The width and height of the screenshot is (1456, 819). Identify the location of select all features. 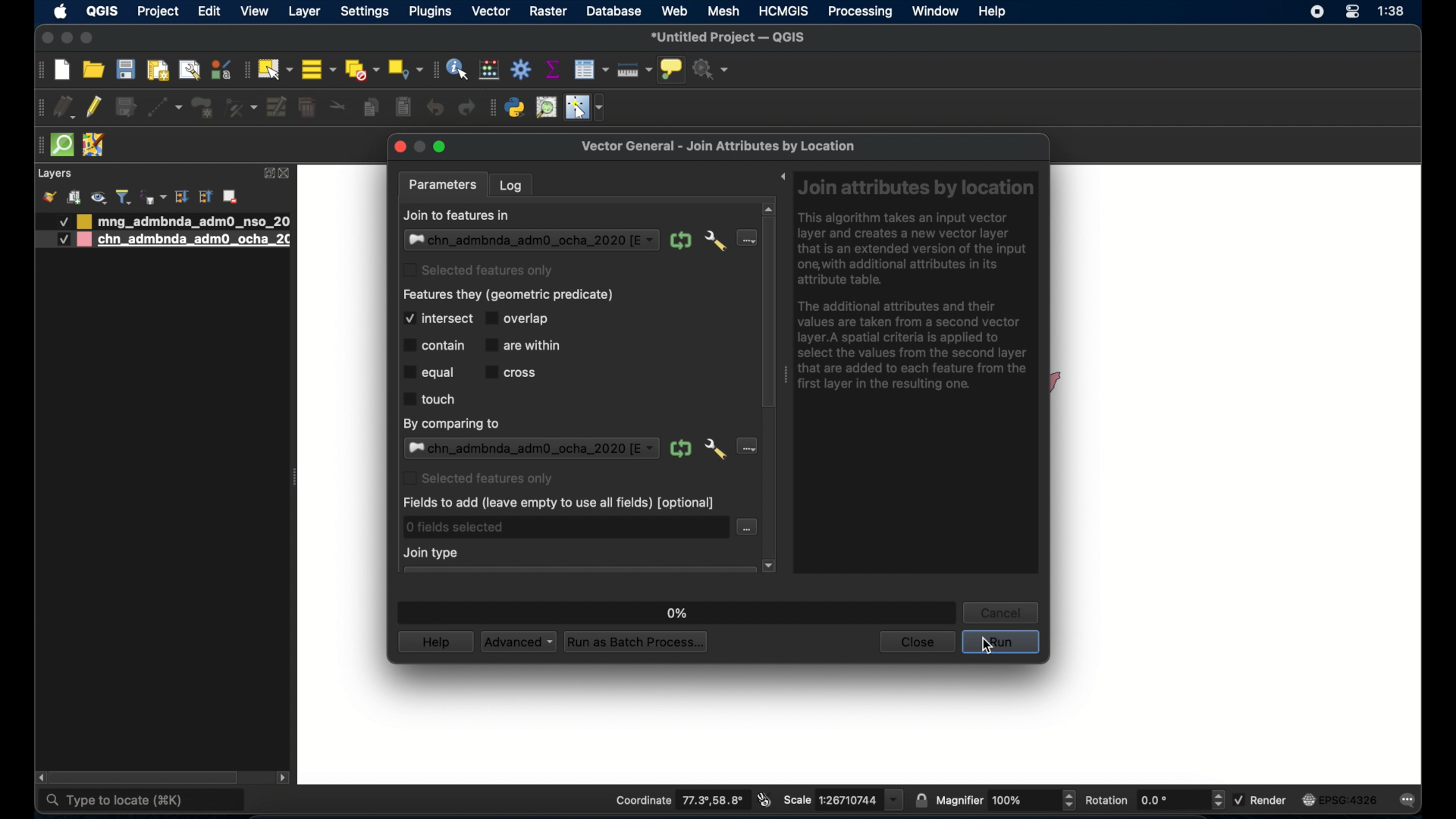
(318, 69).